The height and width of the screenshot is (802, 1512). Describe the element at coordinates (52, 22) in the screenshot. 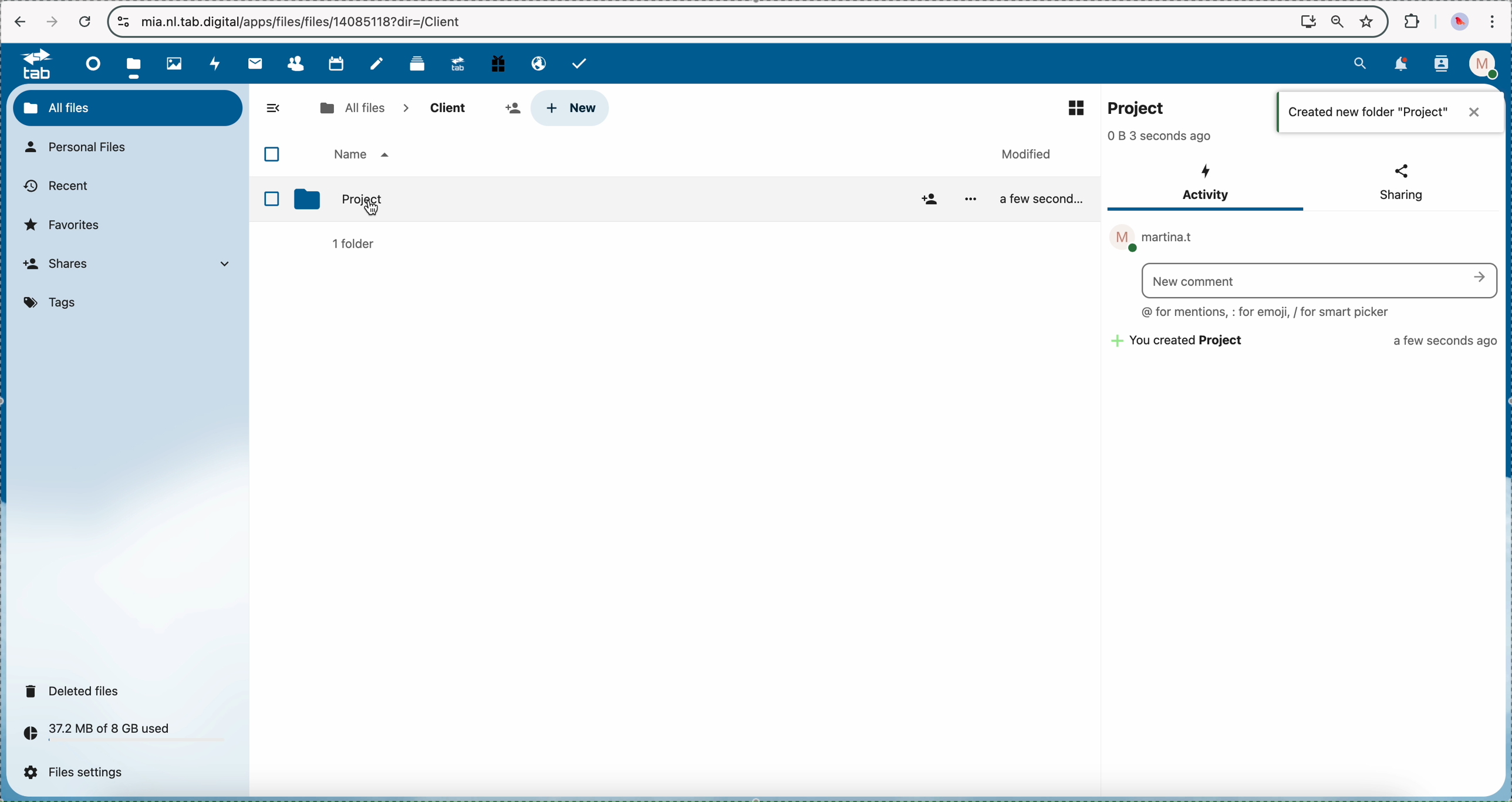

I see `navigate foward` at that location.